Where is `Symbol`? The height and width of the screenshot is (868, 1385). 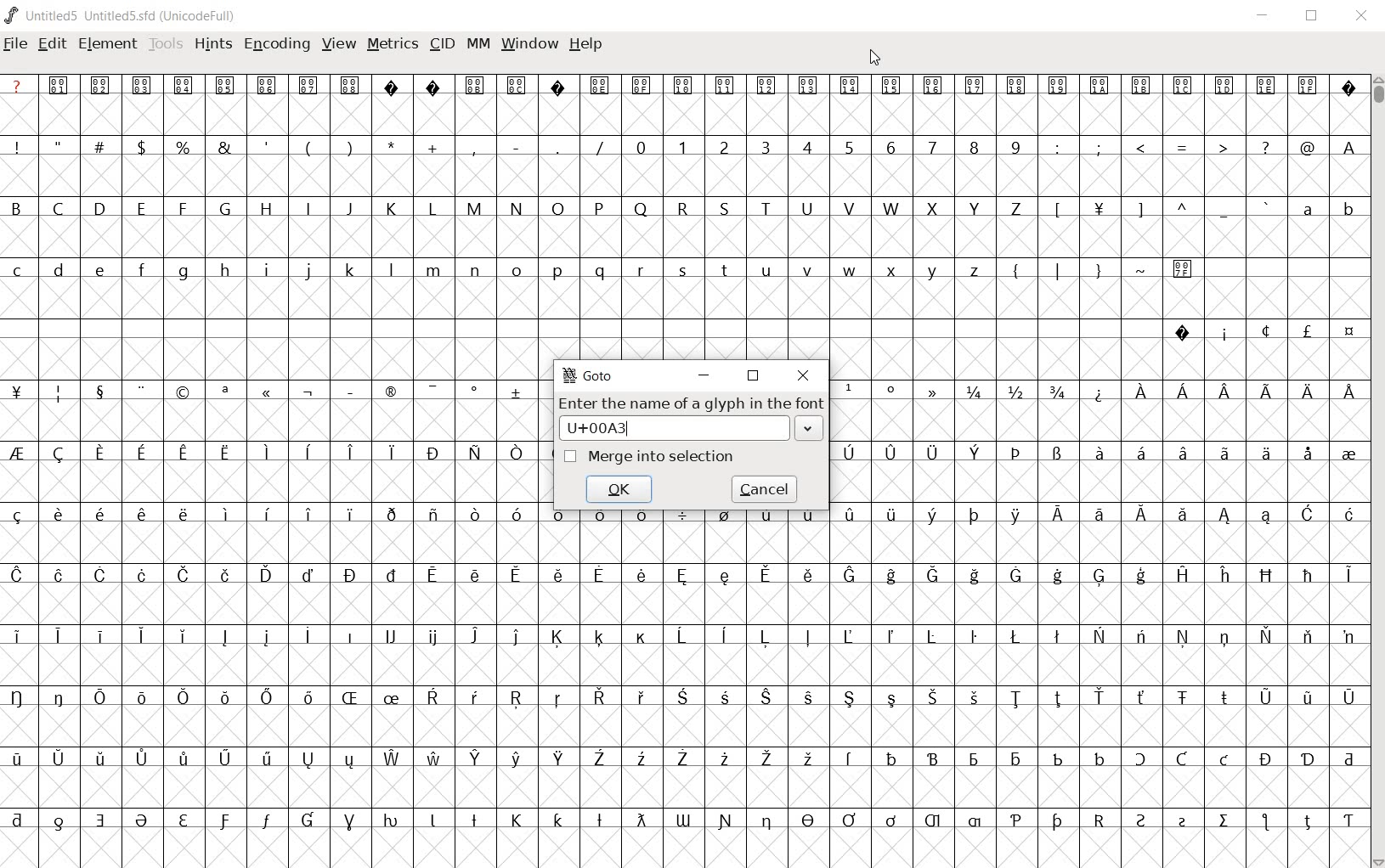
Symbol is located at coordinates (1307, 697).